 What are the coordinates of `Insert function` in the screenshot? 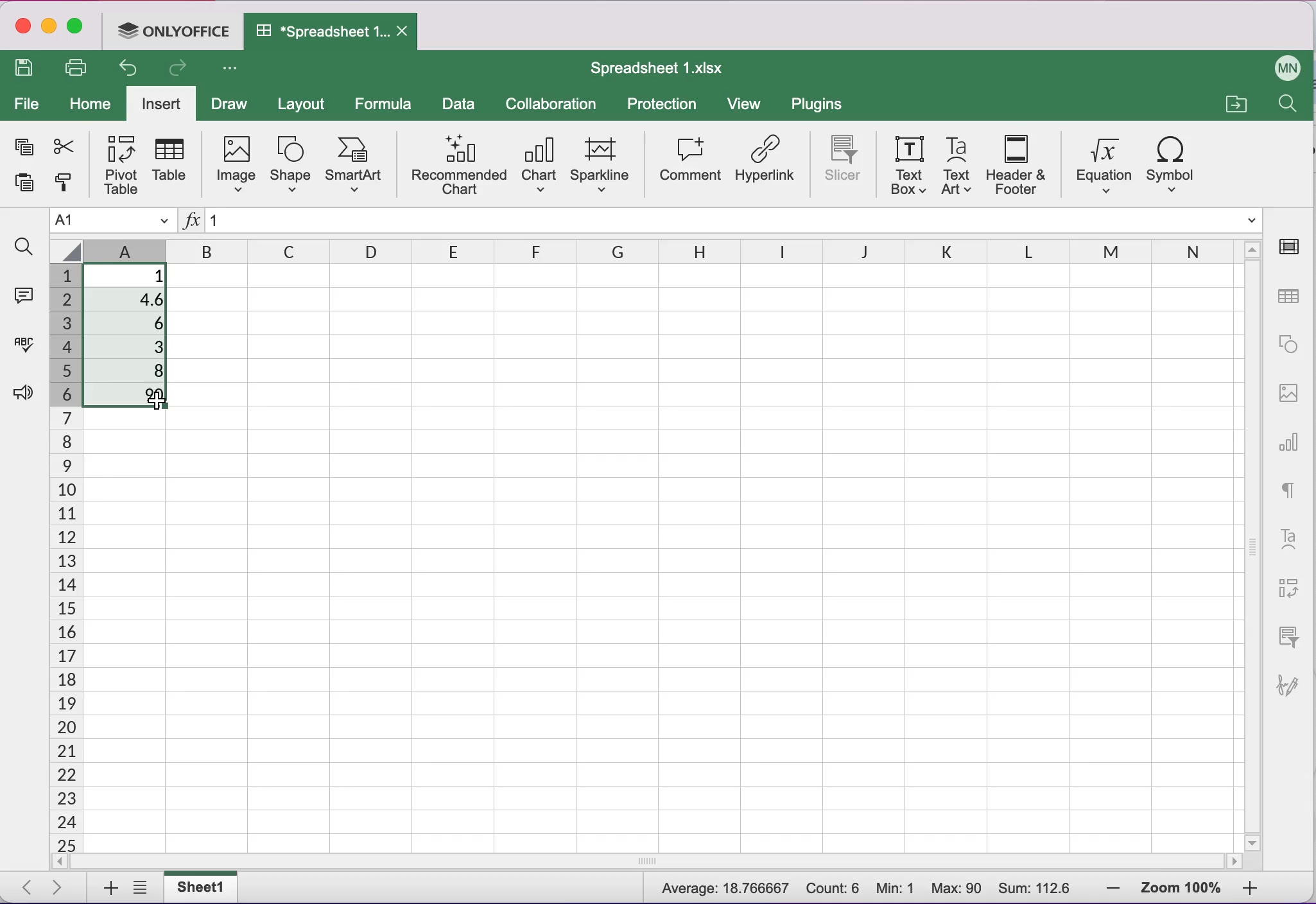 It's located at (193, 220).